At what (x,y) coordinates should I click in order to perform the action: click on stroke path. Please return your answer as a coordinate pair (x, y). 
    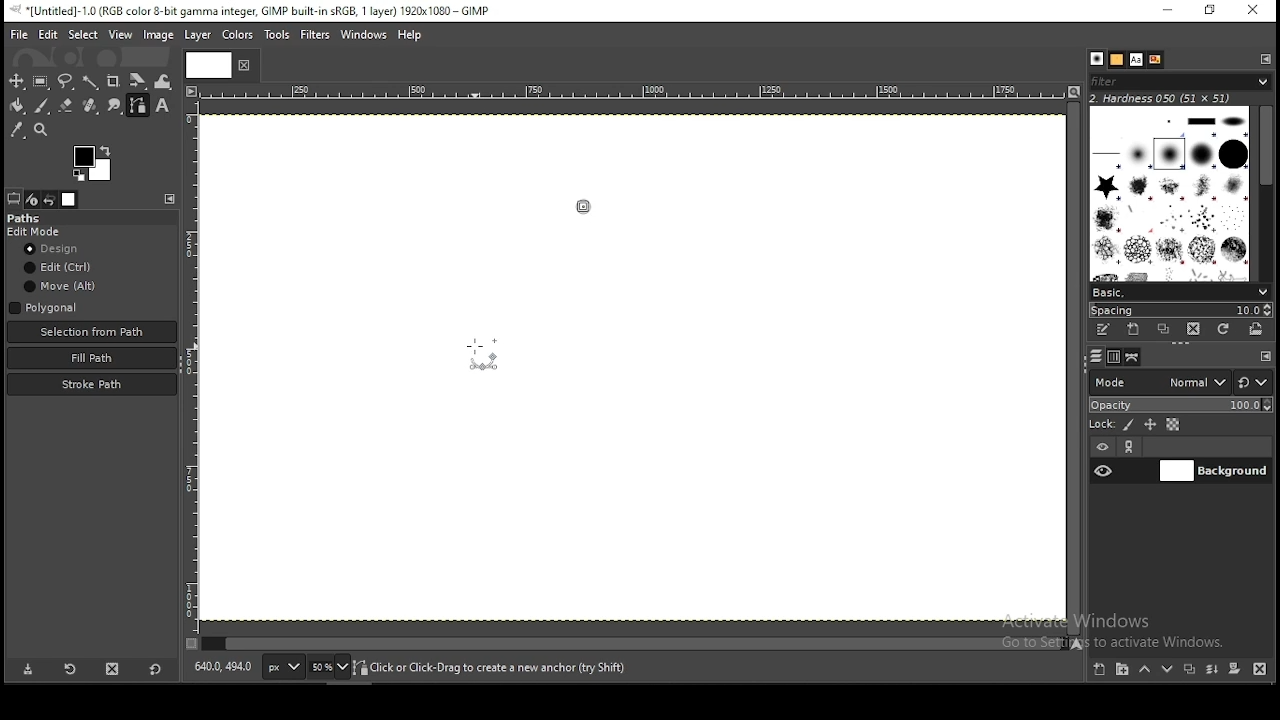
    Looking at the image, I should click on (92, 384).